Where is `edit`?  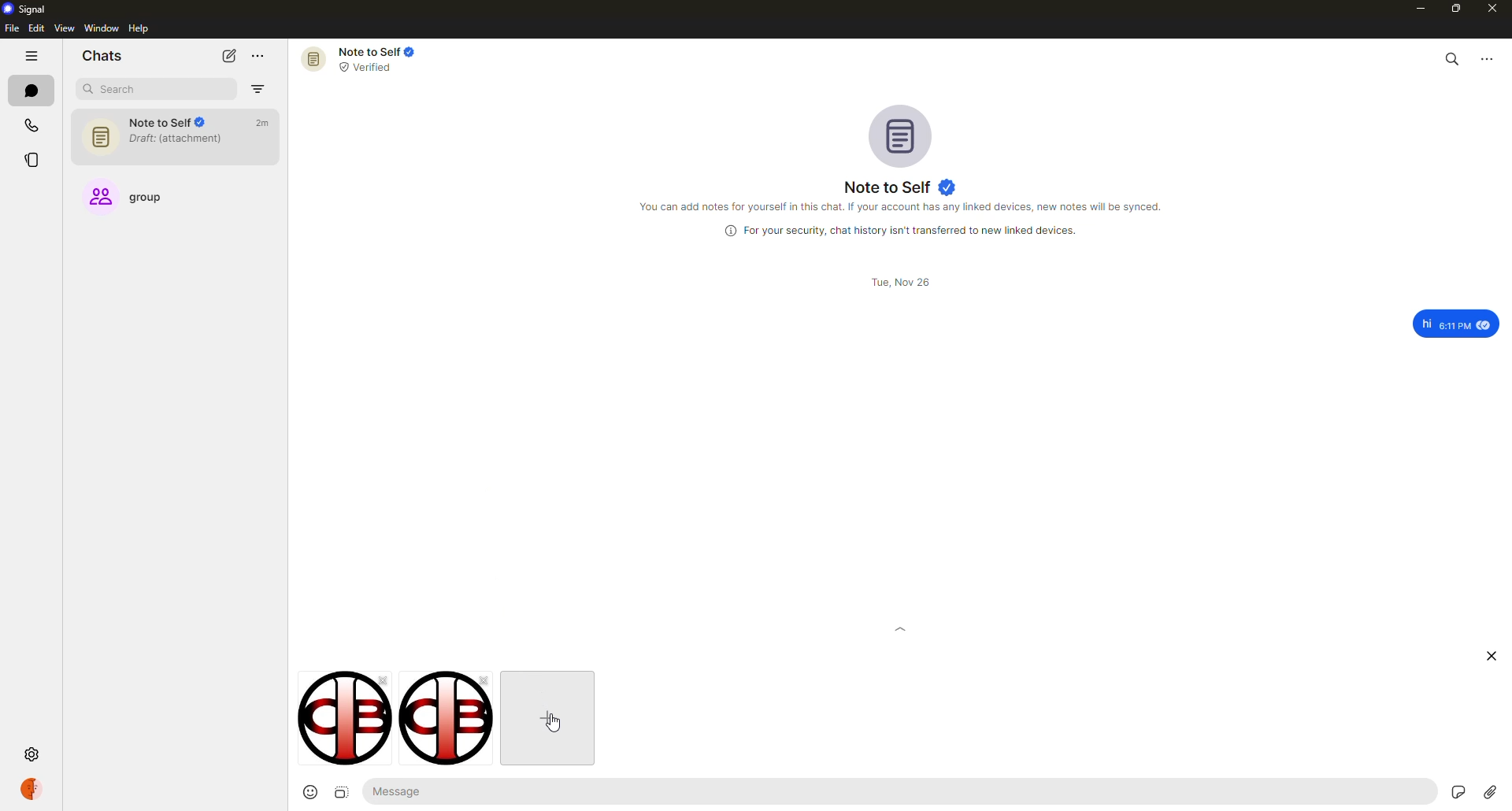 edit is located at coordinates (37, 28).